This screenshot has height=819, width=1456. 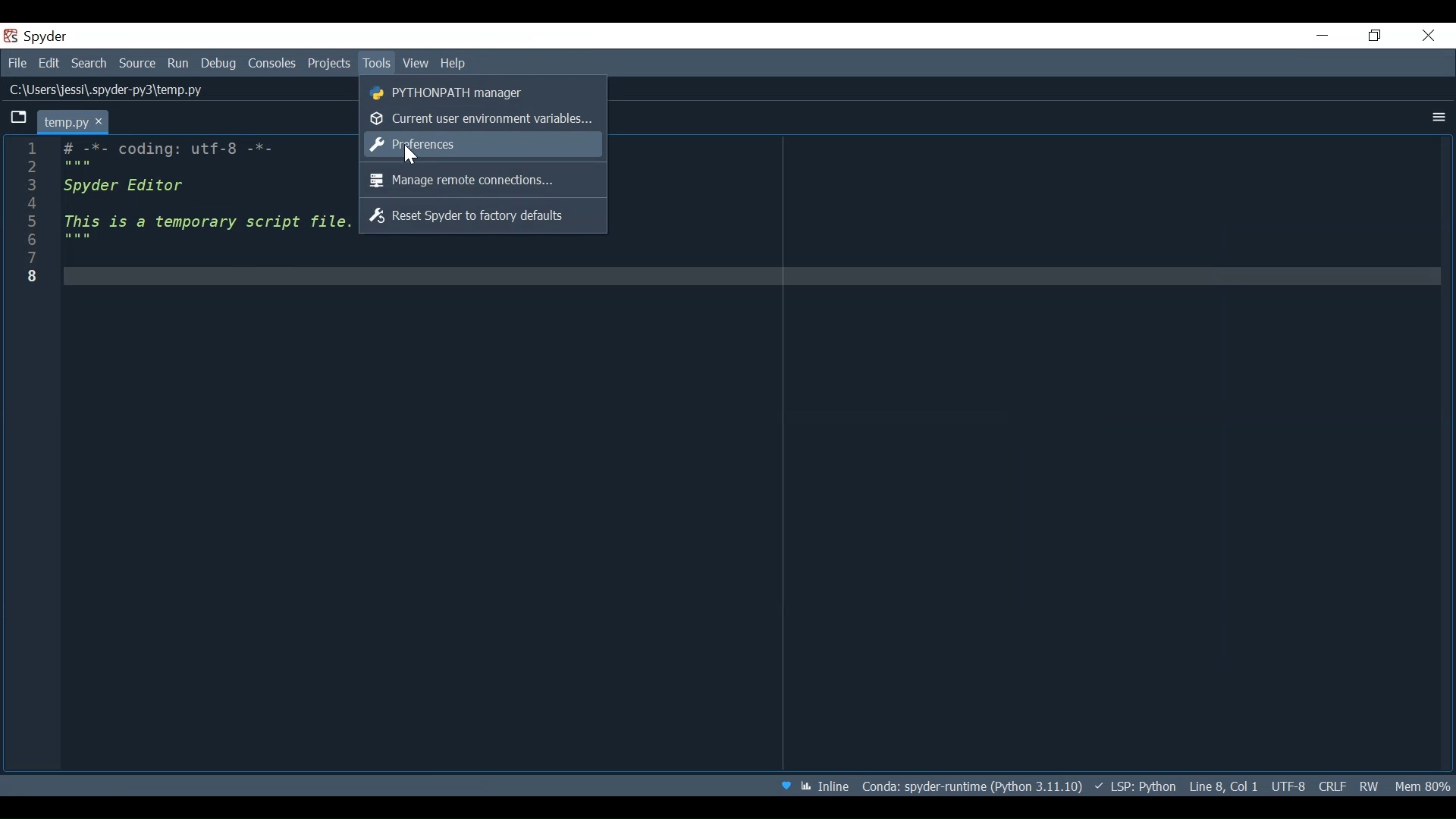 I want to click on Help Spyder, so click(x=790, y=788).